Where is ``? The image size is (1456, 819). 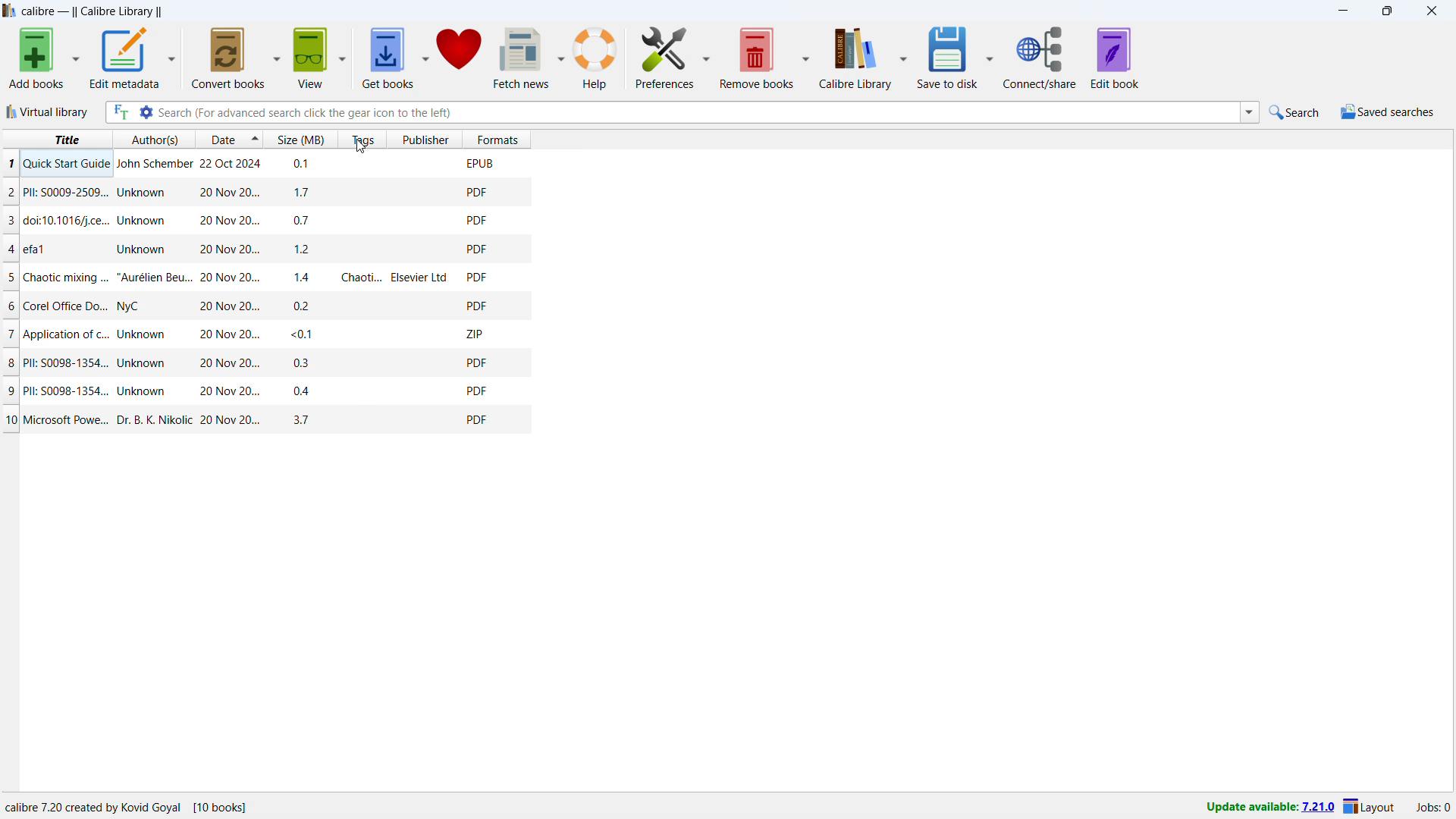
 is located at coordinates (133, 802).